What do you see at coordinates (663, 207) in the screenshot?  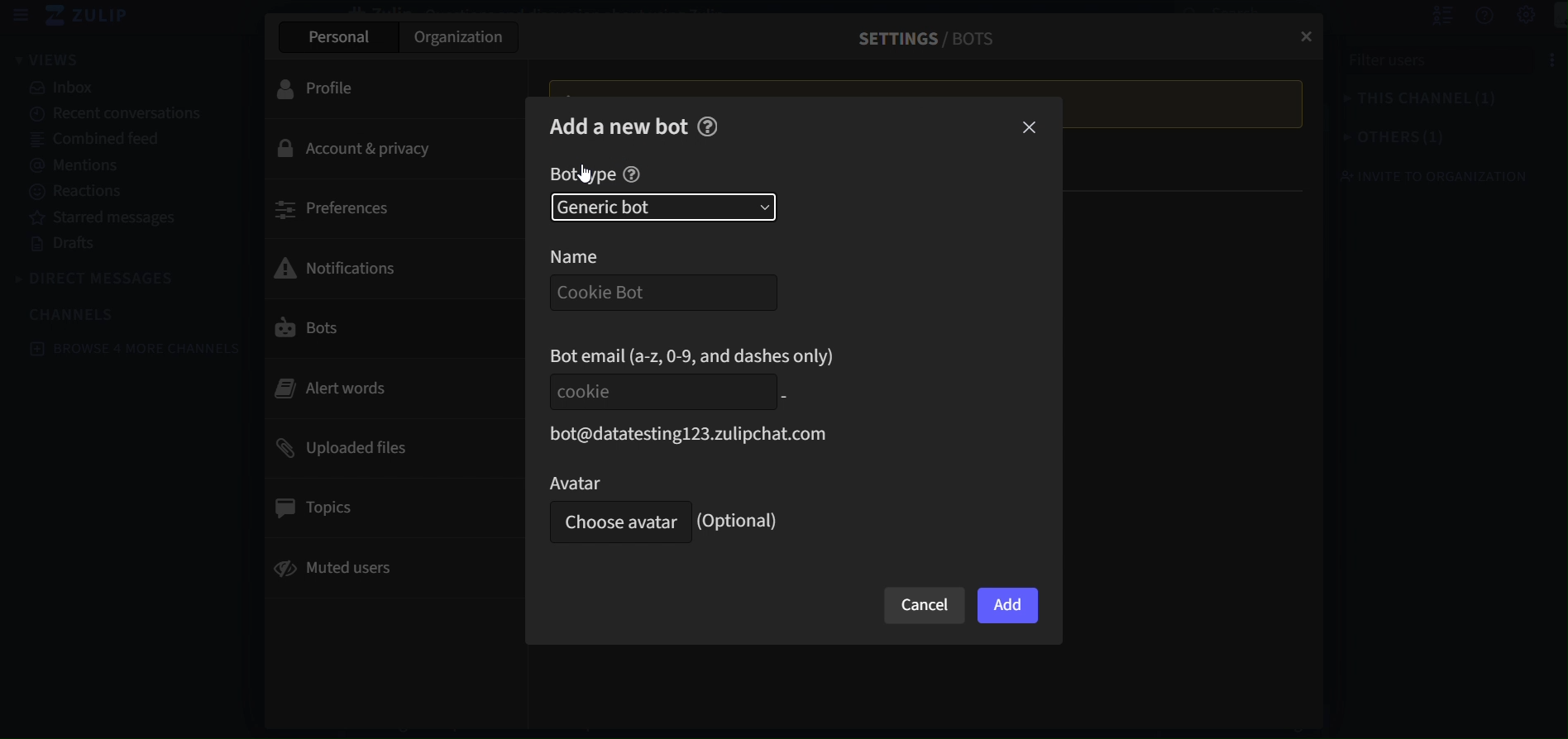 I see `generic bot` at bounding box center [663, 207].